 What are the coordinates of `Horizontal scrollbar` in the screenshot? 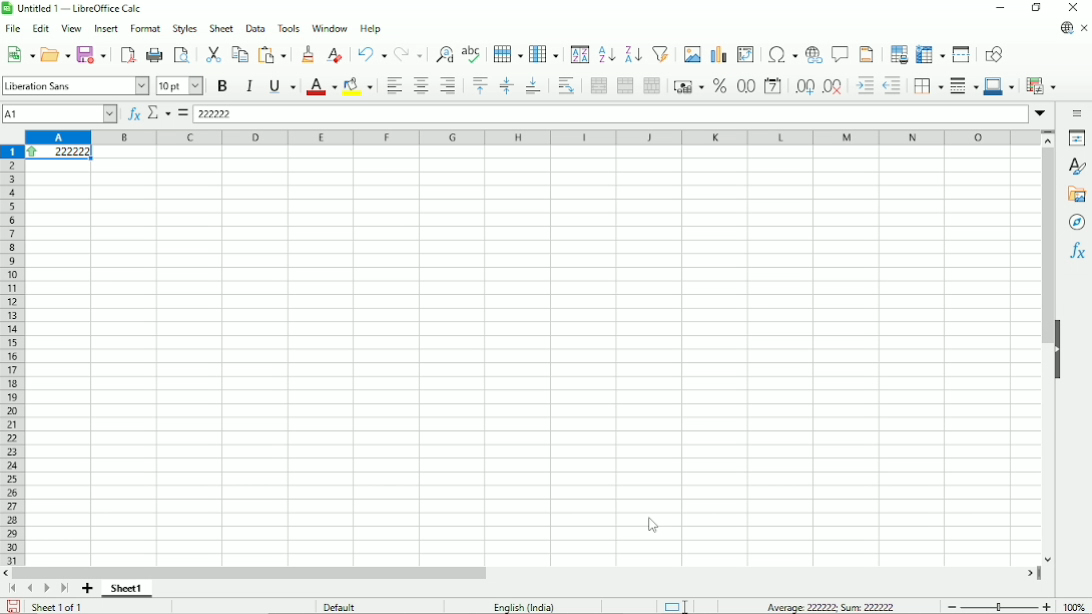 It's located at (254, 572).